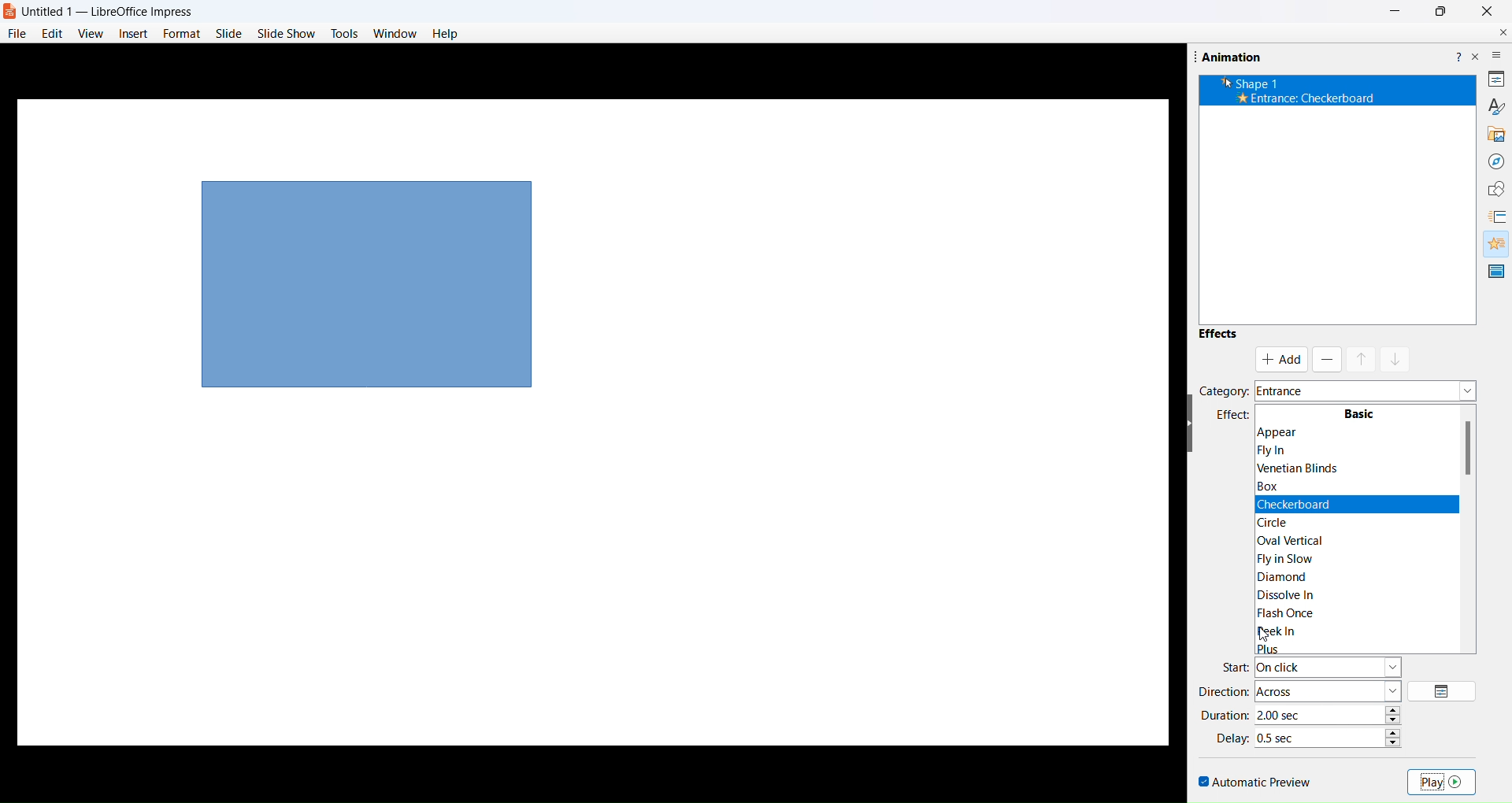 The width and height of the screenshot is (1512, 803). I want to click on file, so click(18, 33).